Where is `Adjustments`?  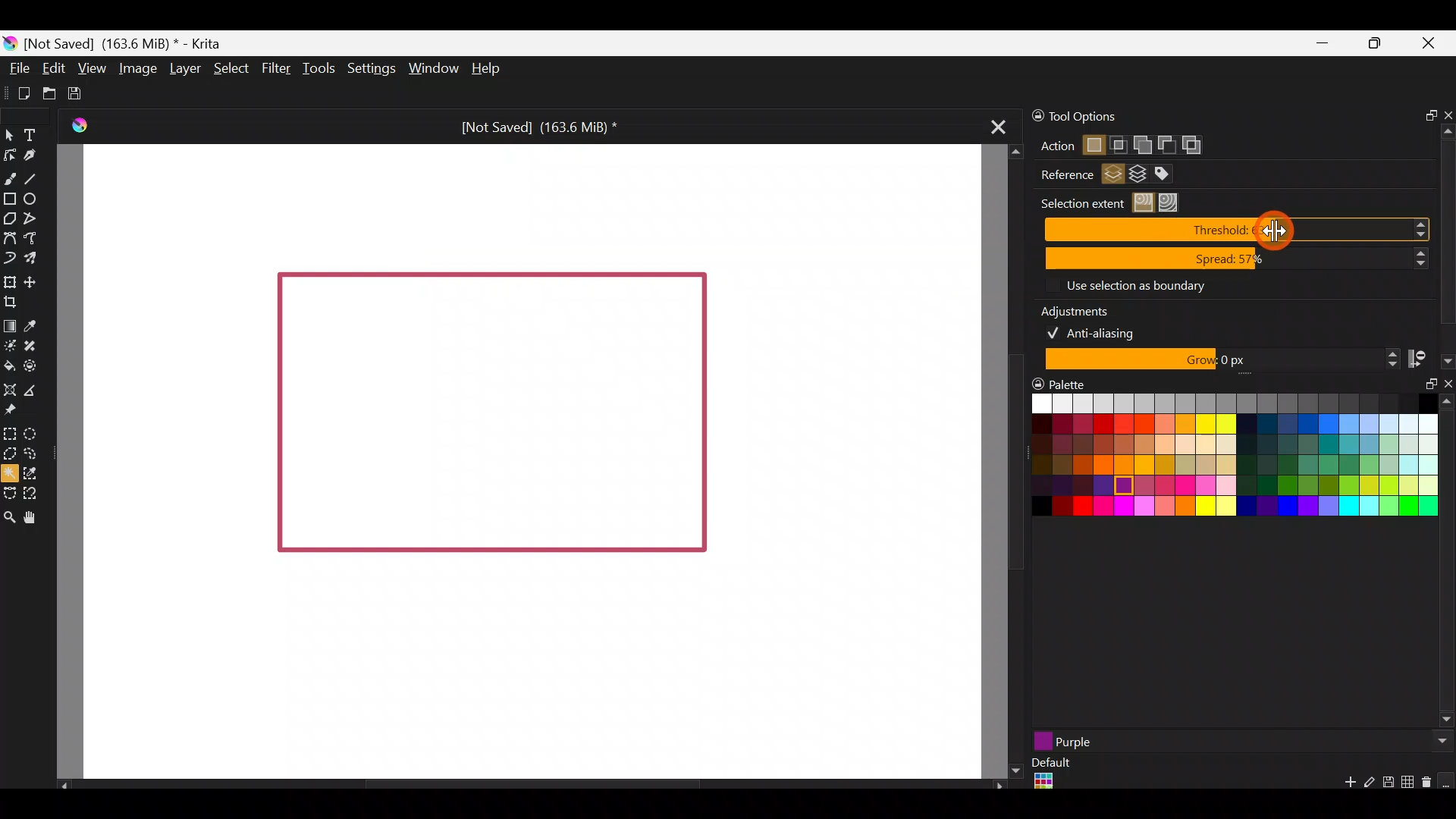
Adjustments is located at coordinates (1084, 309).